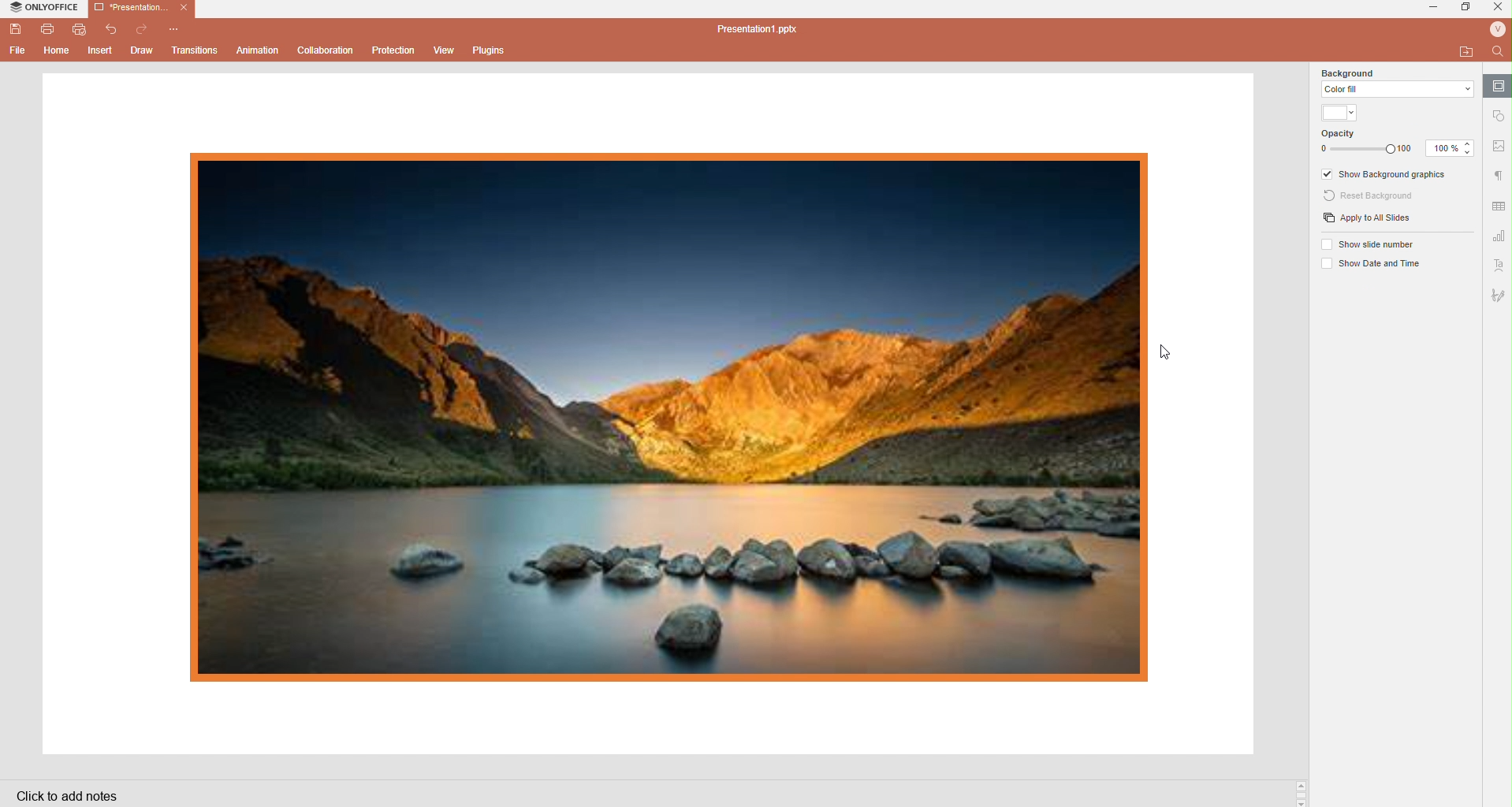  I want to click on Cursor, so click(1175, 352).